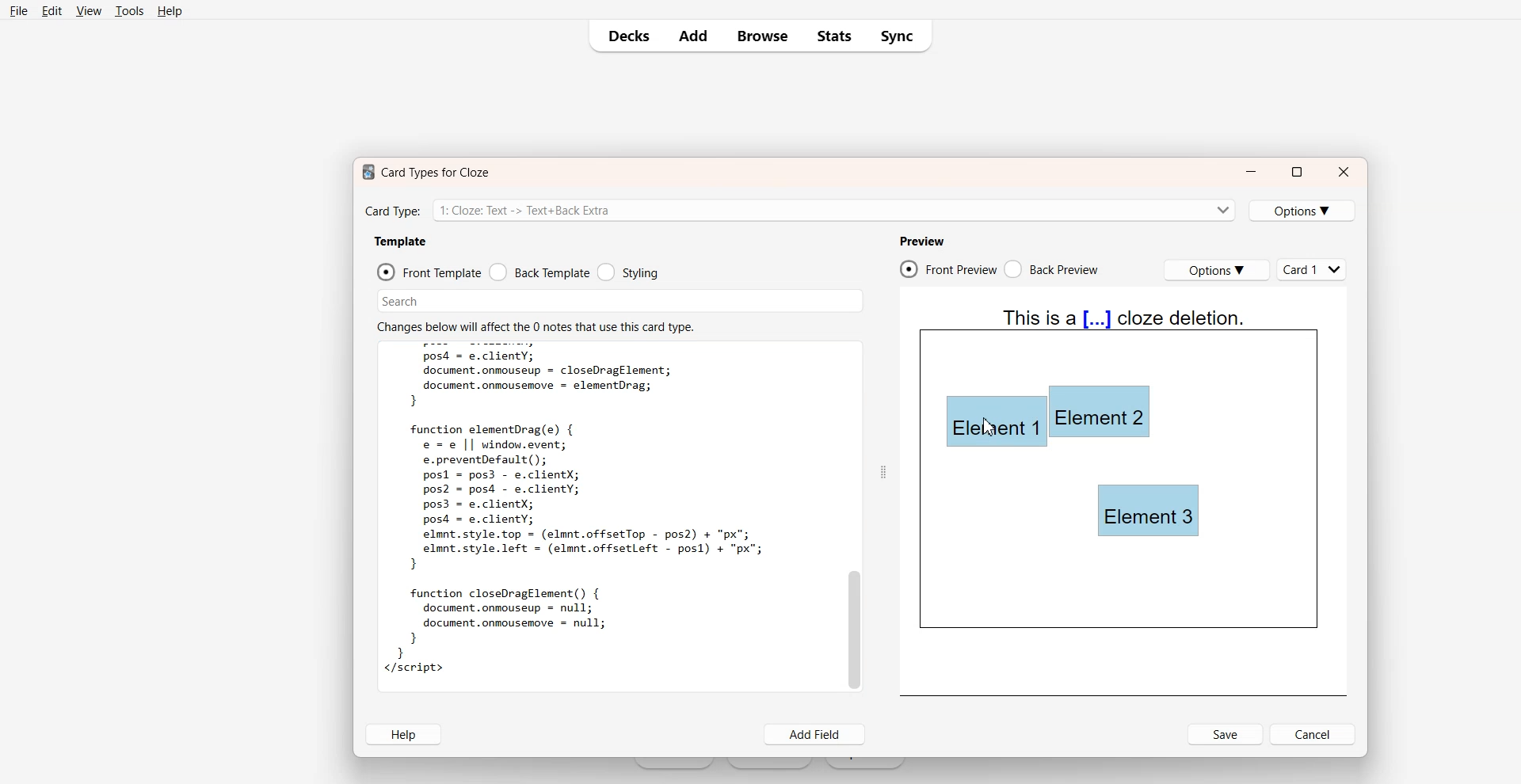 The height and width of the screenshot is (784, 1521). What do you see at coordinates (581, 516) in the screenshot?
I see `Text` at bounding box center [581, 516].